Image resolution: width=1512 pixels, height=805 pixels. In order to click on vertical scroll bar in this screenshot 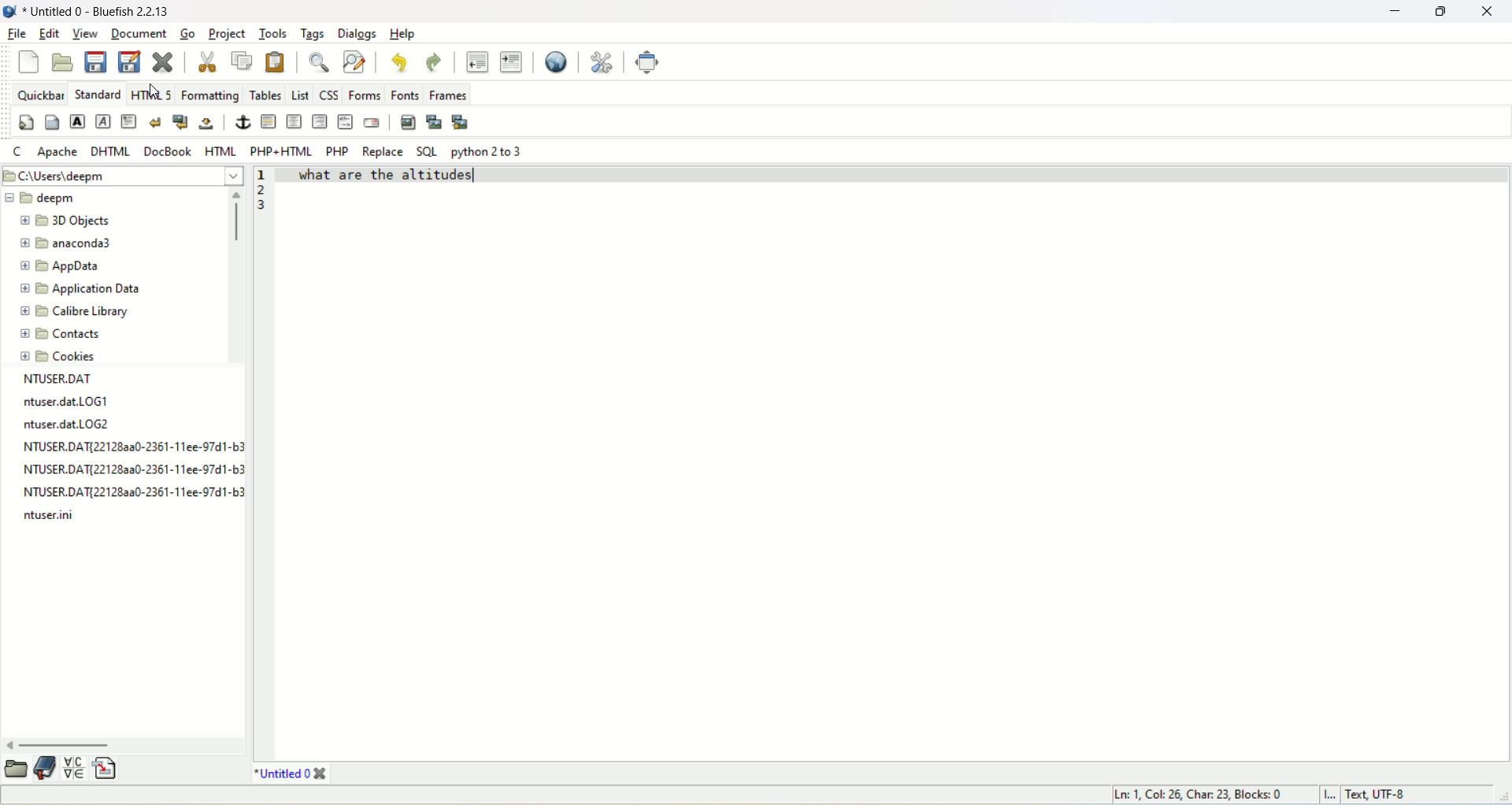, I will do `click(234, 276)`.